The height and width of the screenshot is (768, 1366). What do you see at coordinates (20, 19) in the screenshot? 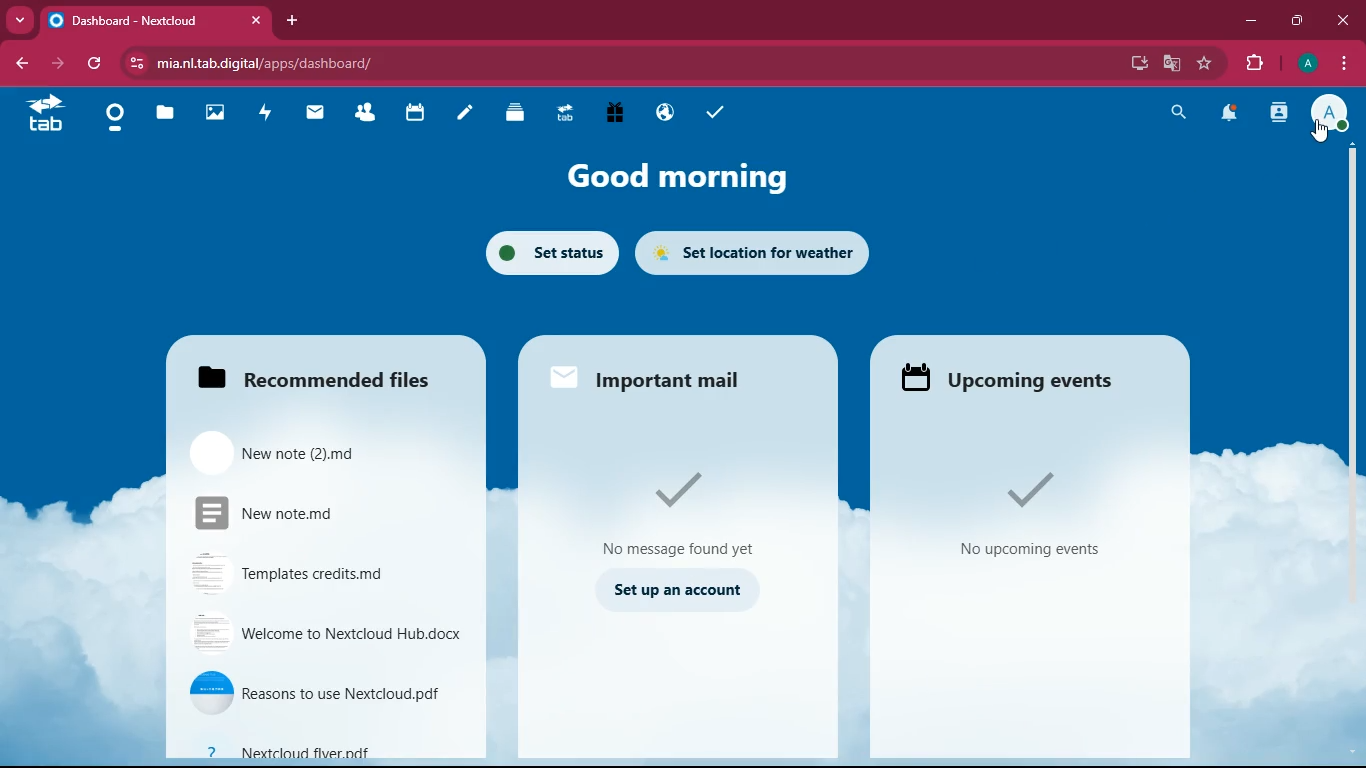
I see `more` at bounding box center [20, 19].